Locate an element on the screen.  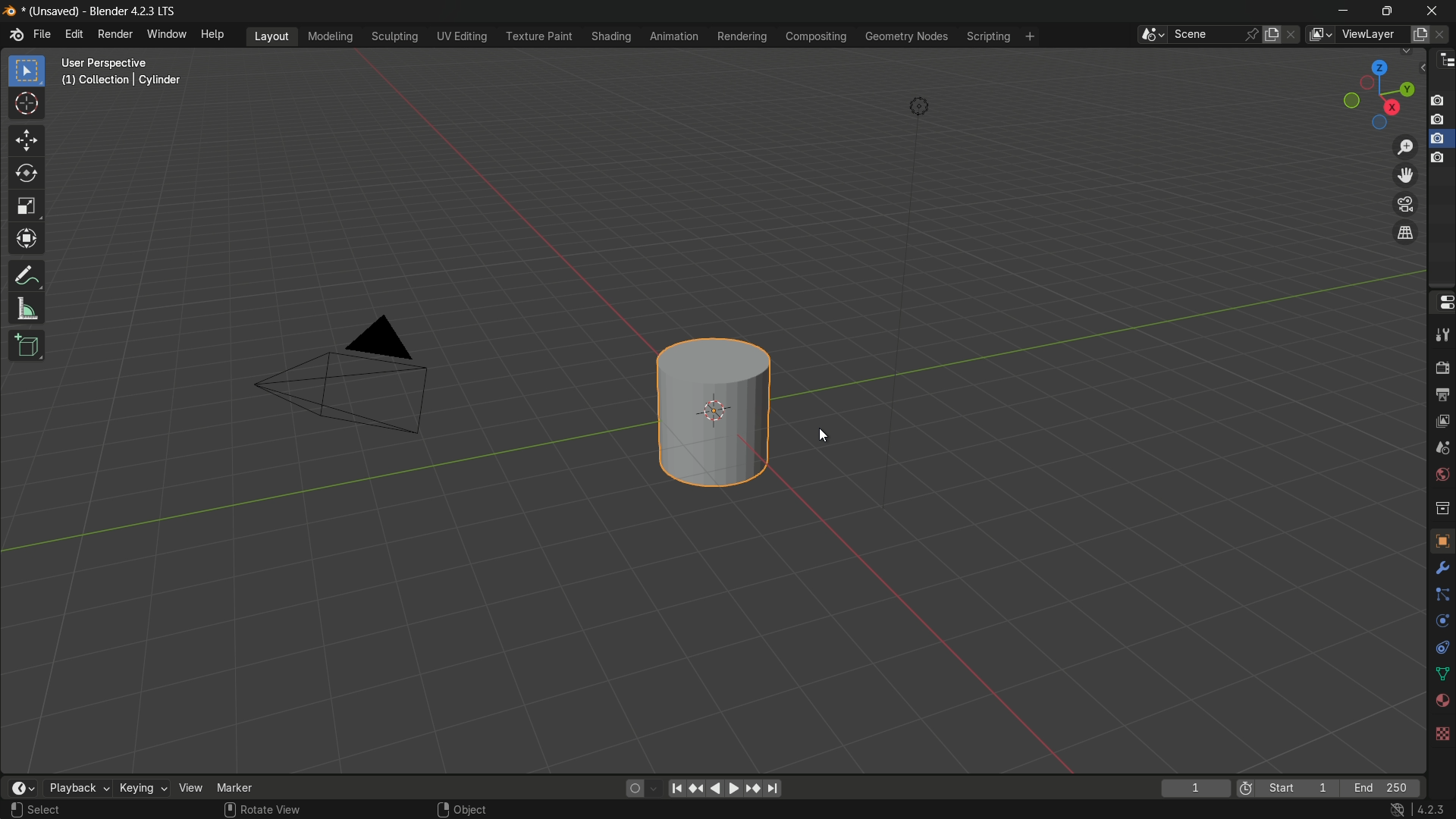
view layer is located at coordinates (1441, 422).